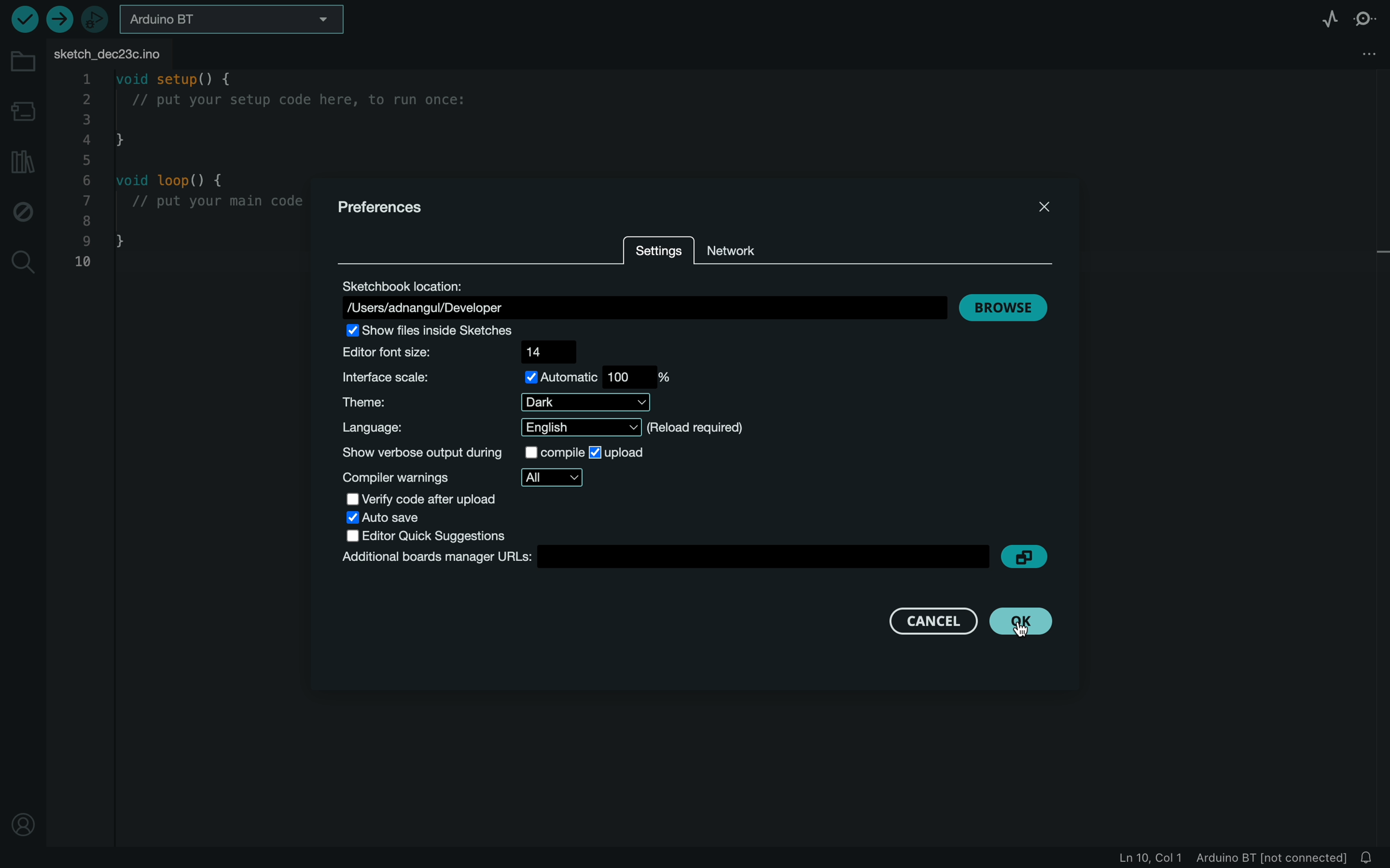 The width and height of the screenshot is (1390, 868). What do you see at coordinates (434, 534) in the screenshot?
I see `editor quick` at bounding box center [434, 534].